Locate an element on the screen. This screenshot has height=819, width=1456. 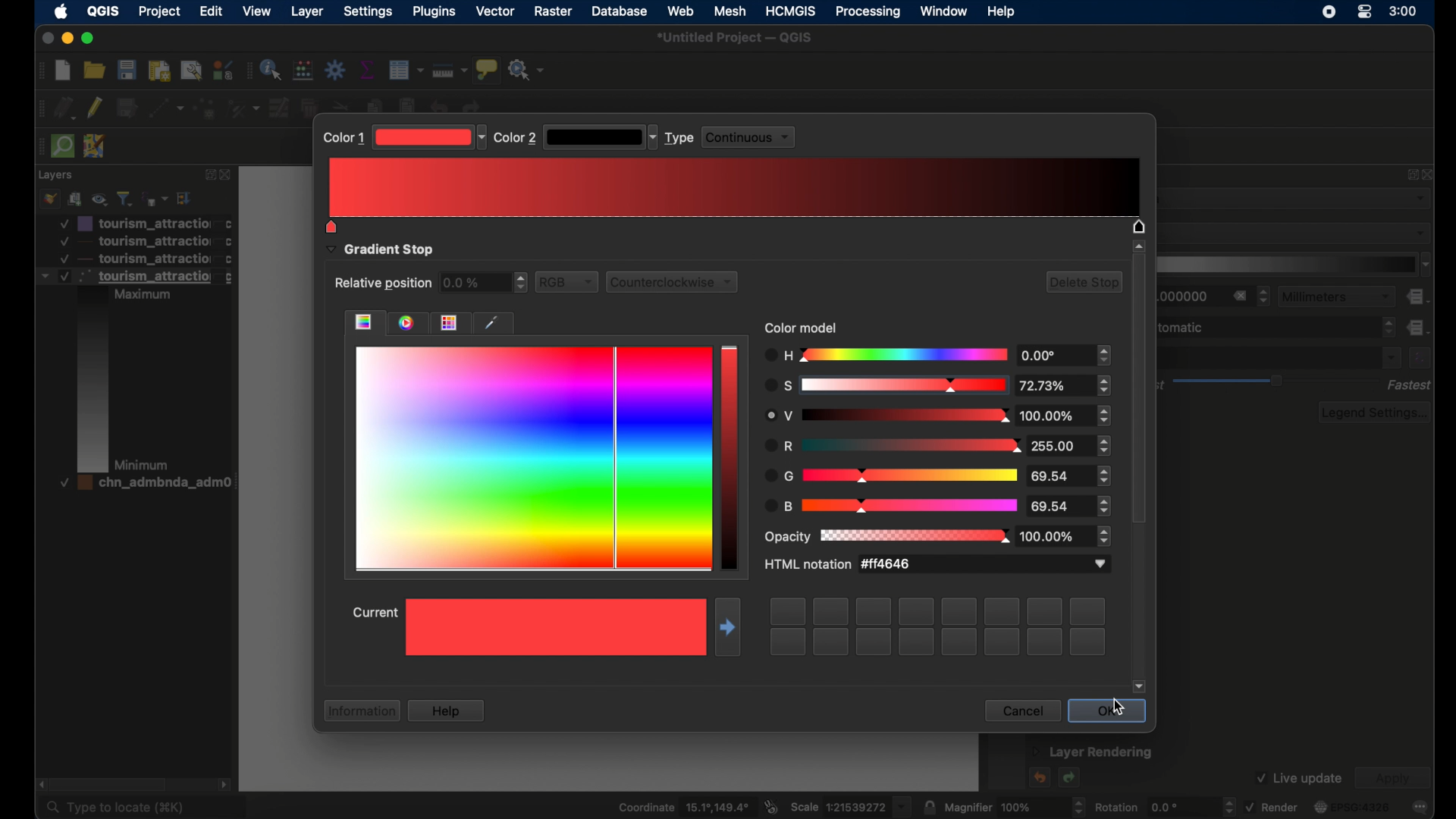
digitize with segment is located at coordinates (168, 108).